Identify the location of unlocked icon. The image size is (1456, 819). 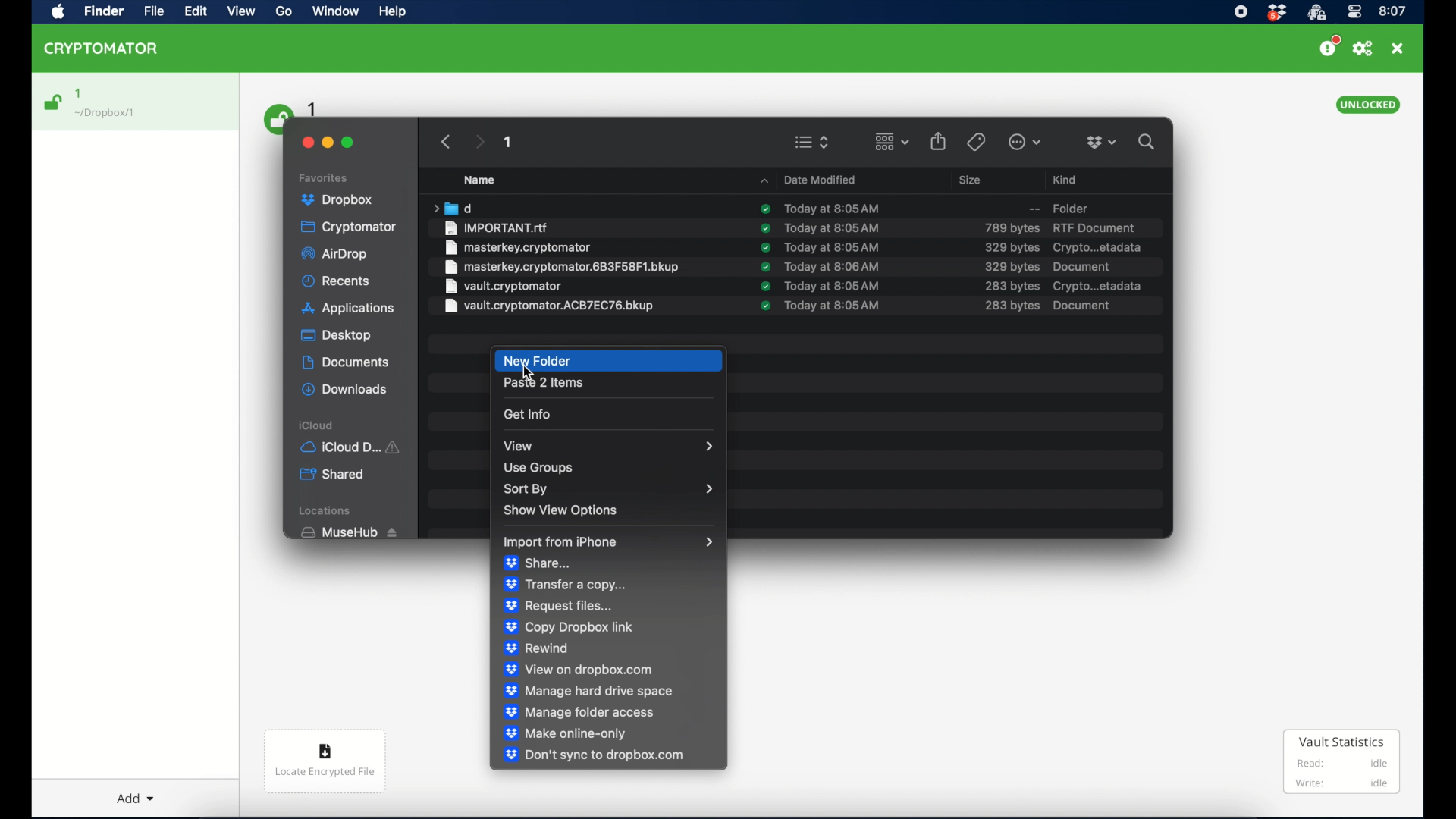
(54, 102).